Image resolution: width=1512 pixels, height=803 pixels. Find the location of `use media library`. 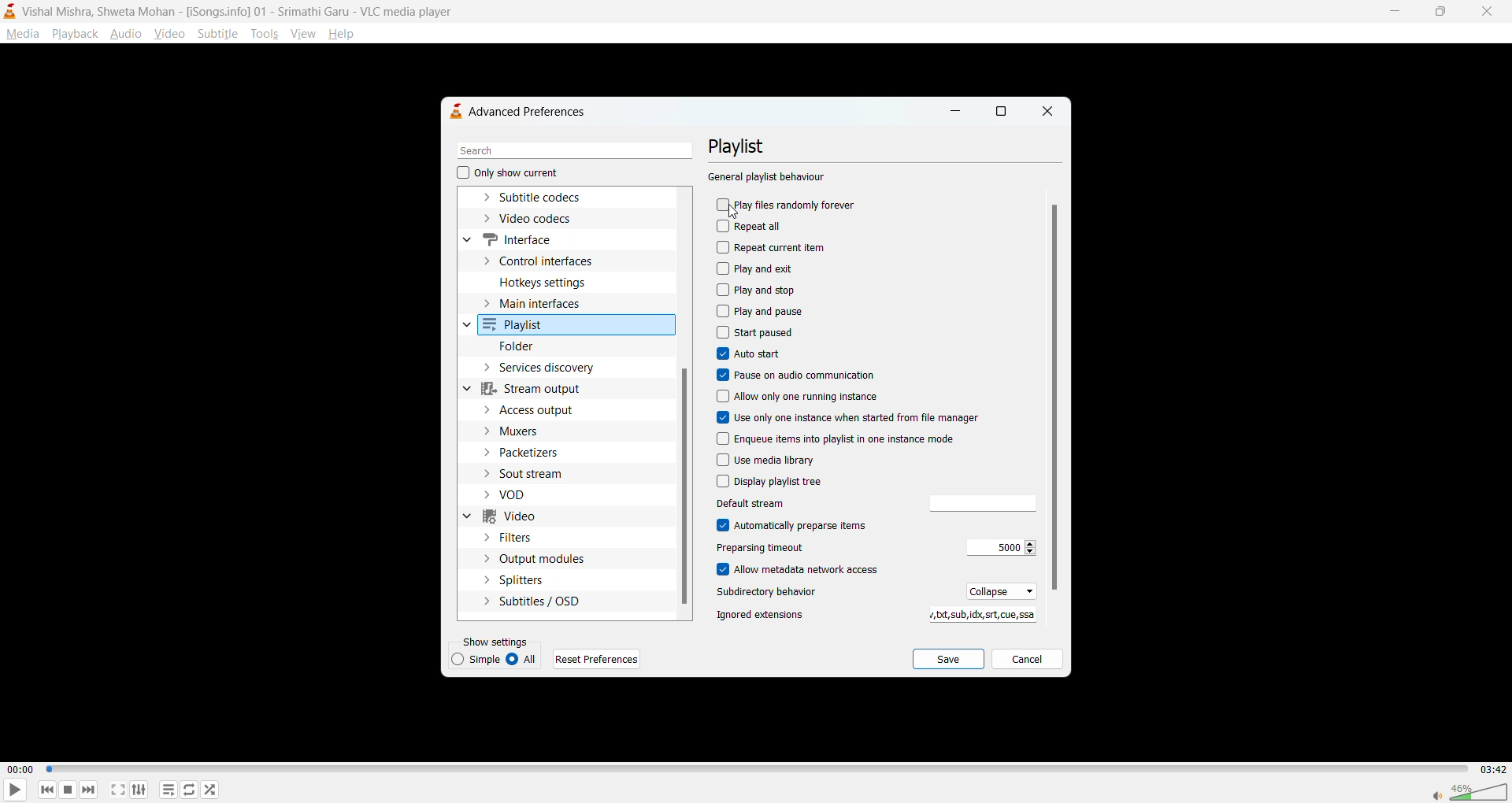

use media library is located at coordinates (766, 460).